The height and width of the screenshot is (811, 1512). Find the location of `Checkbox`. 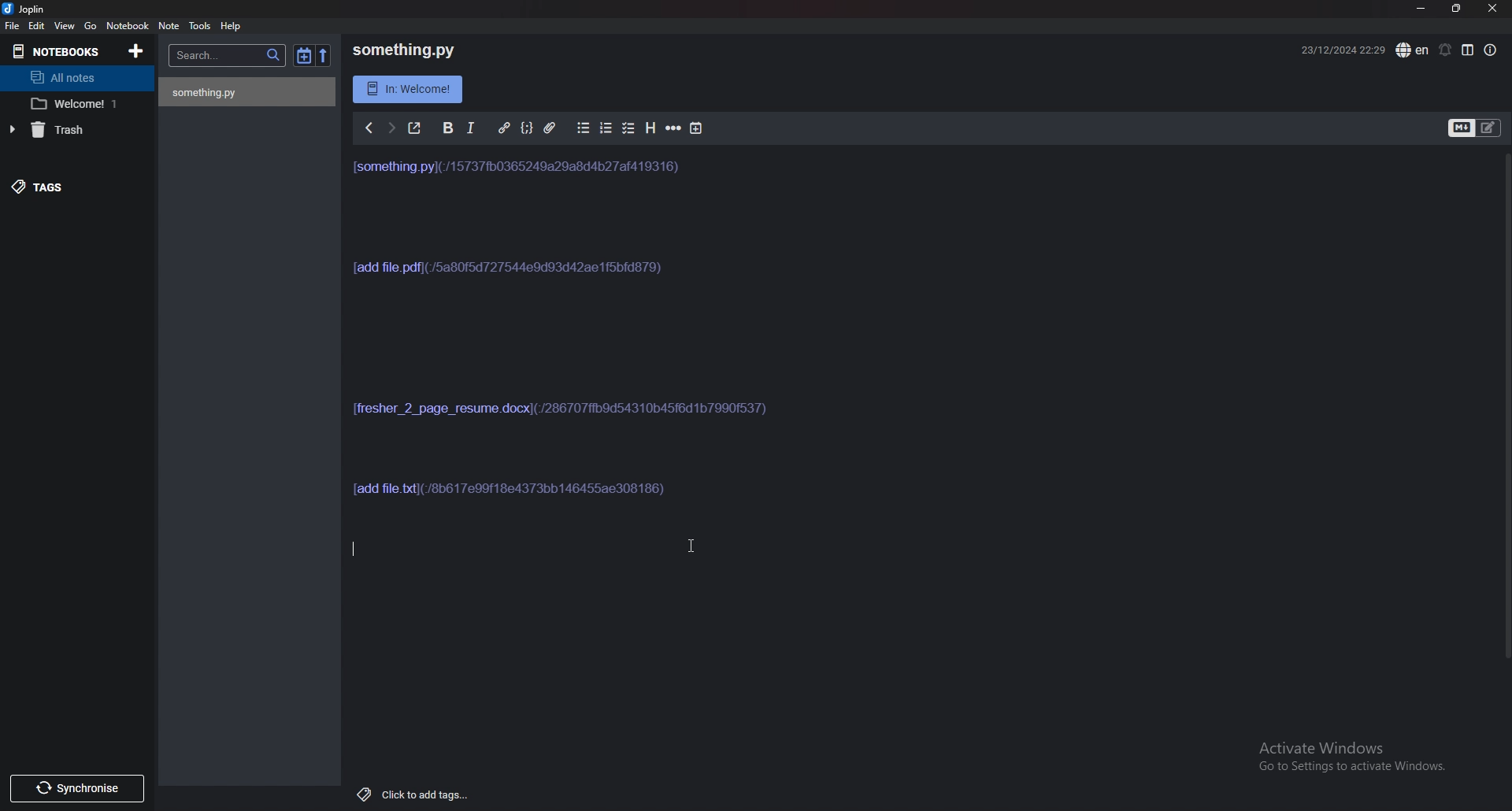

Checkbox is located at coordinates (629, 128).